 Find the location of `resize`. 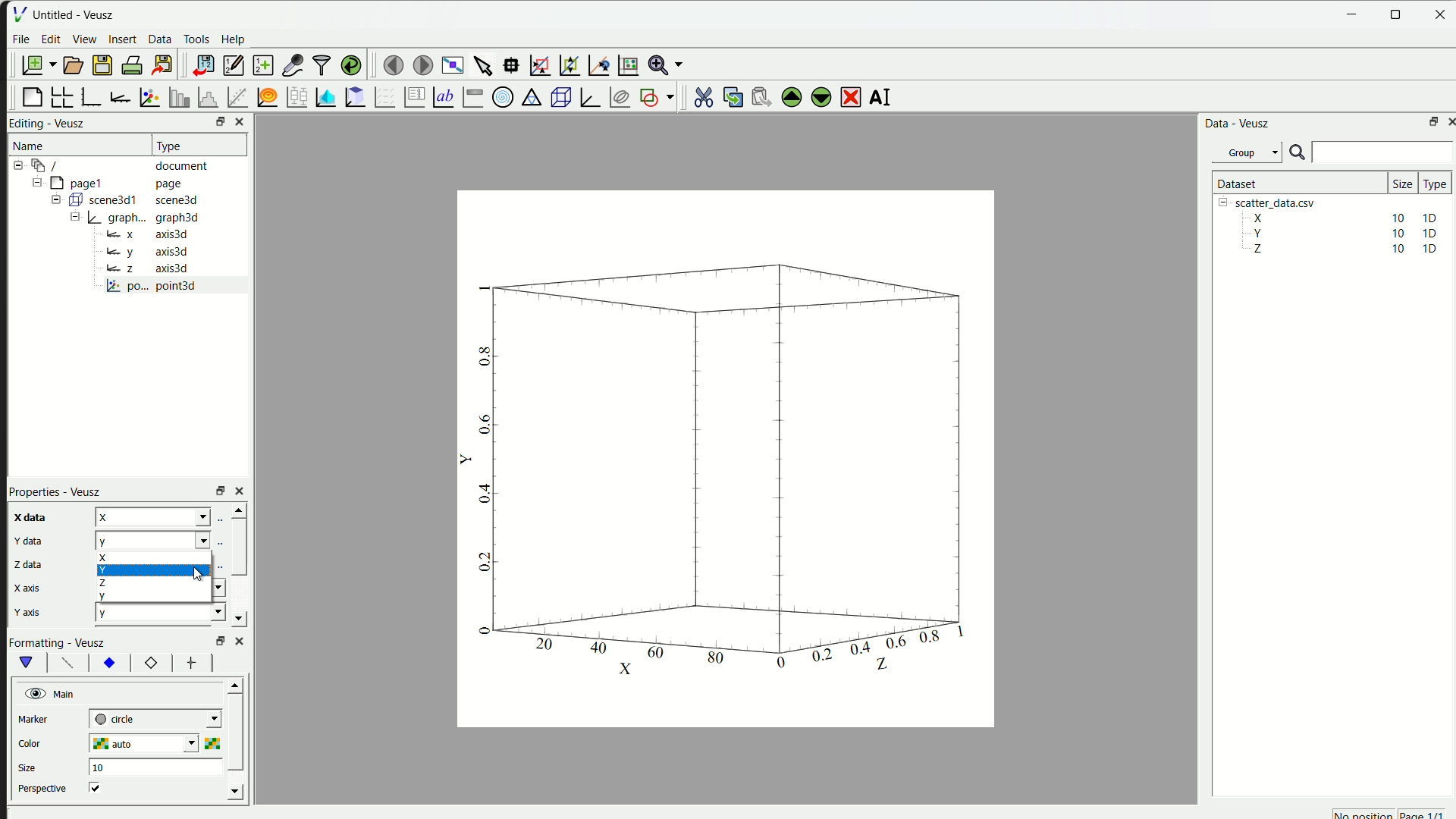

resize is located at coordinates (215, 123).